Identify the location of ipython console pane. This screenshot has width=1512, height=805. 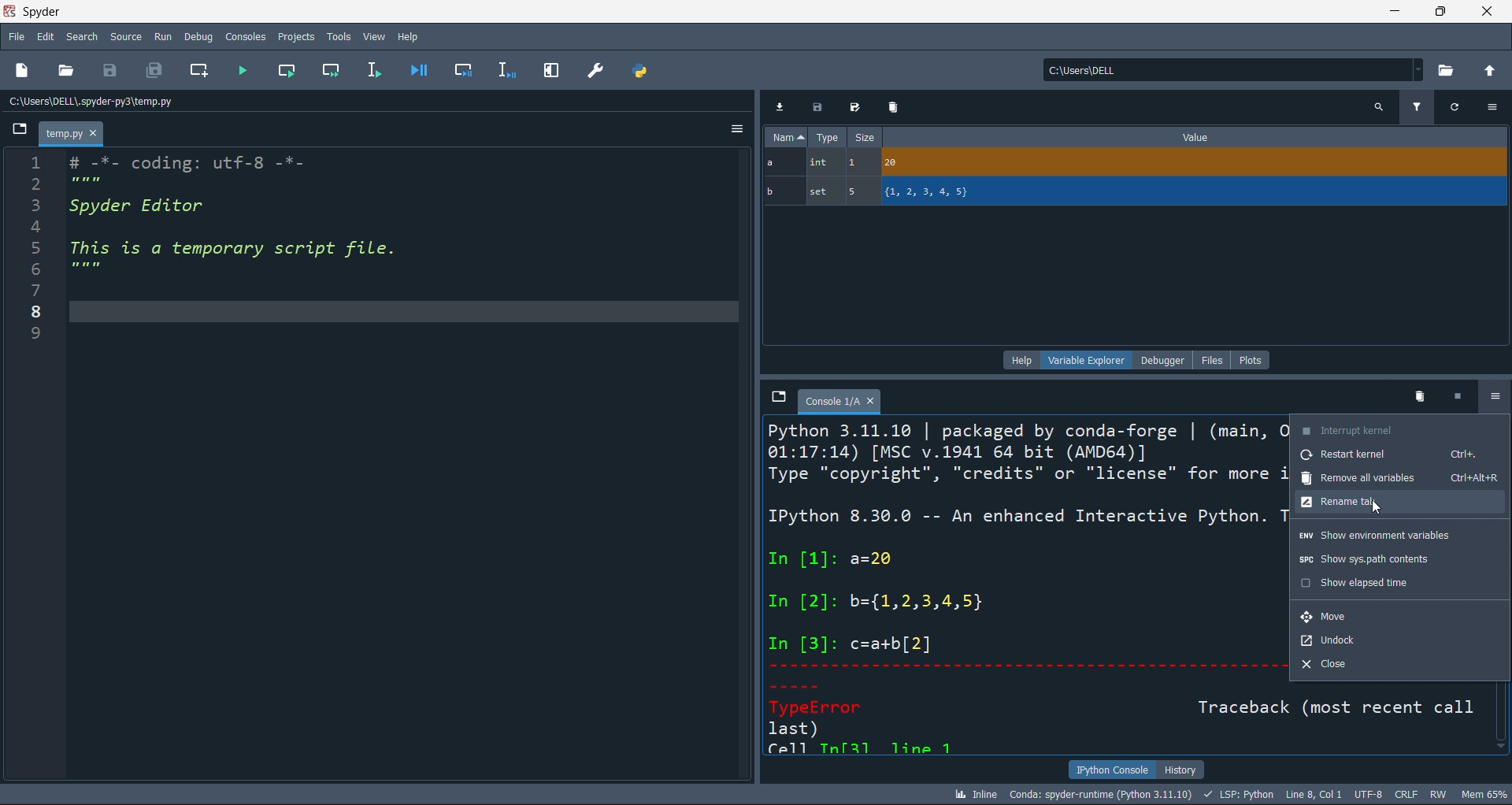
(1022, 587).